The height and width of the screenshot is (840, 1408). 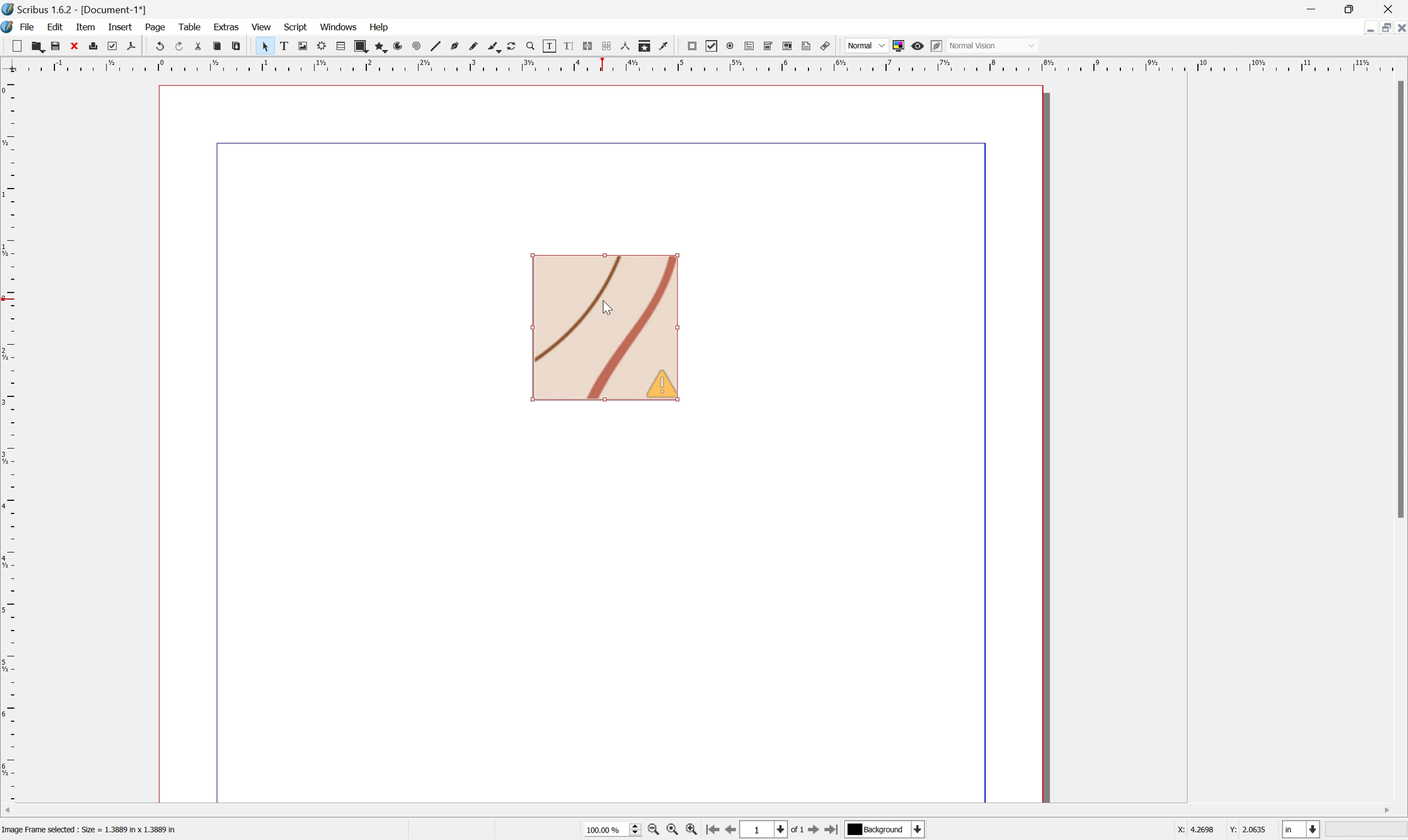 I want to click on Script, so click(x=298, y=25).